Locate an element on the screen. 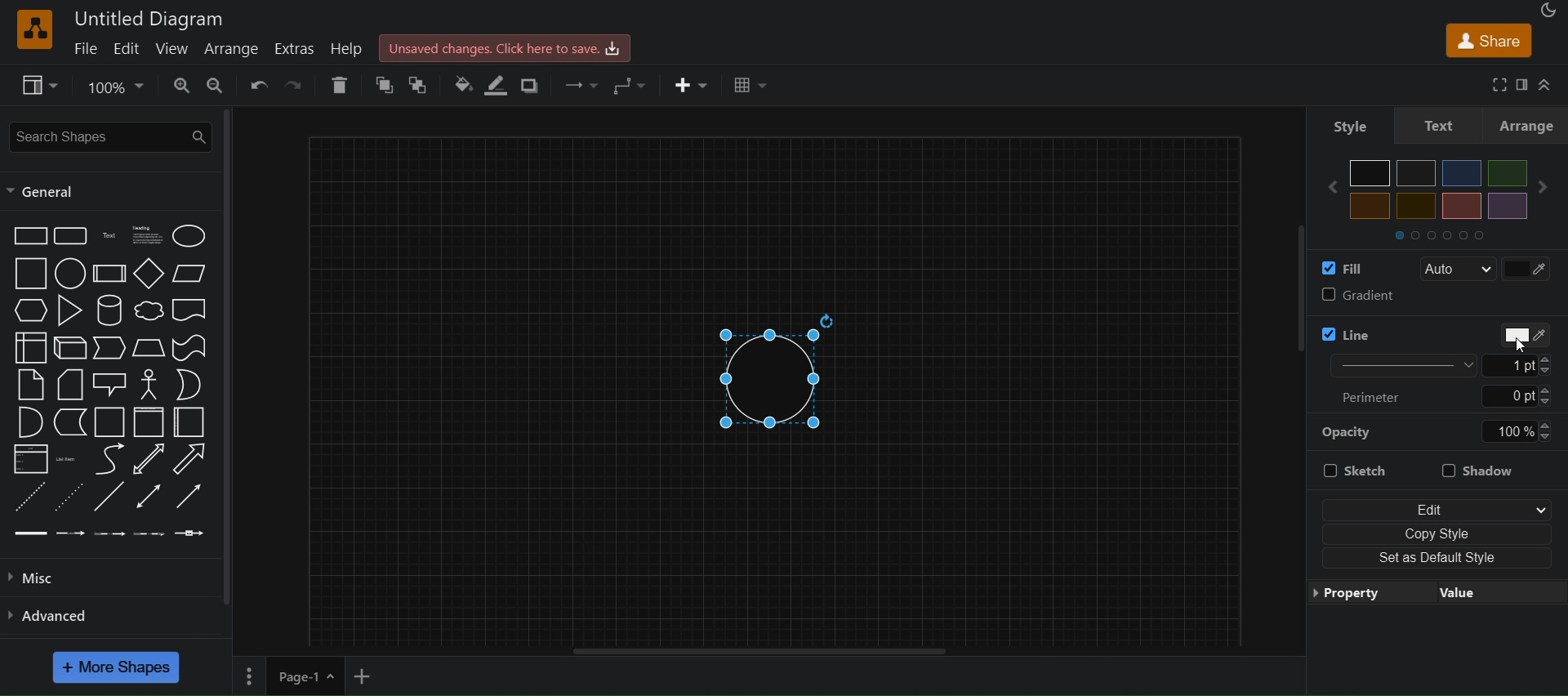 The image size is (1568, 696). edit is located at coordinates (128, 49).